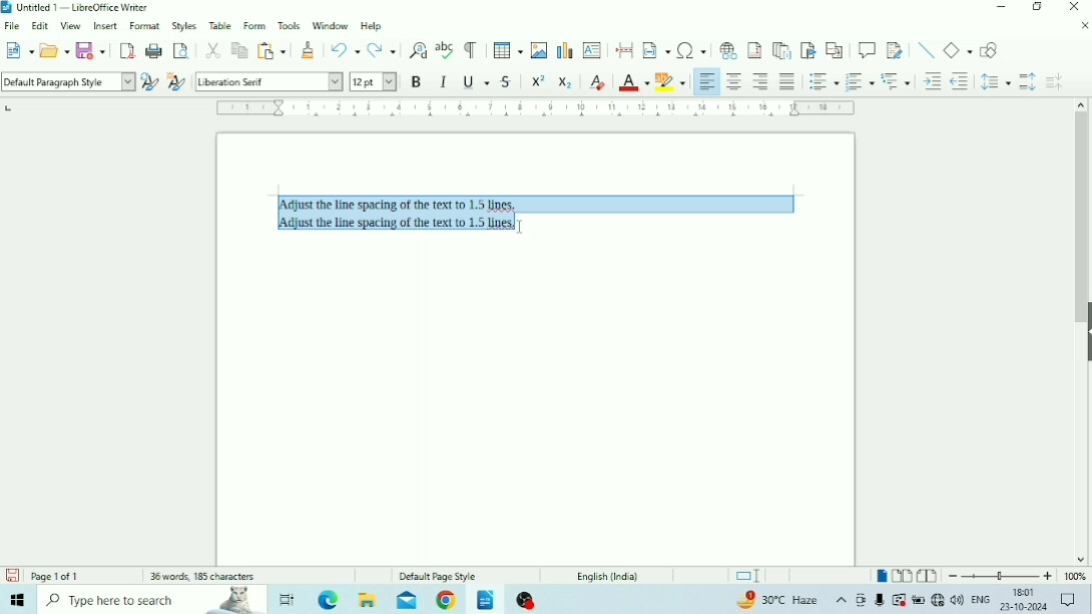 The height and width of the screenshot is (614, 1092). Describe the element at coordinates (12, 575) in the screenshot. I see `Save` at that location.